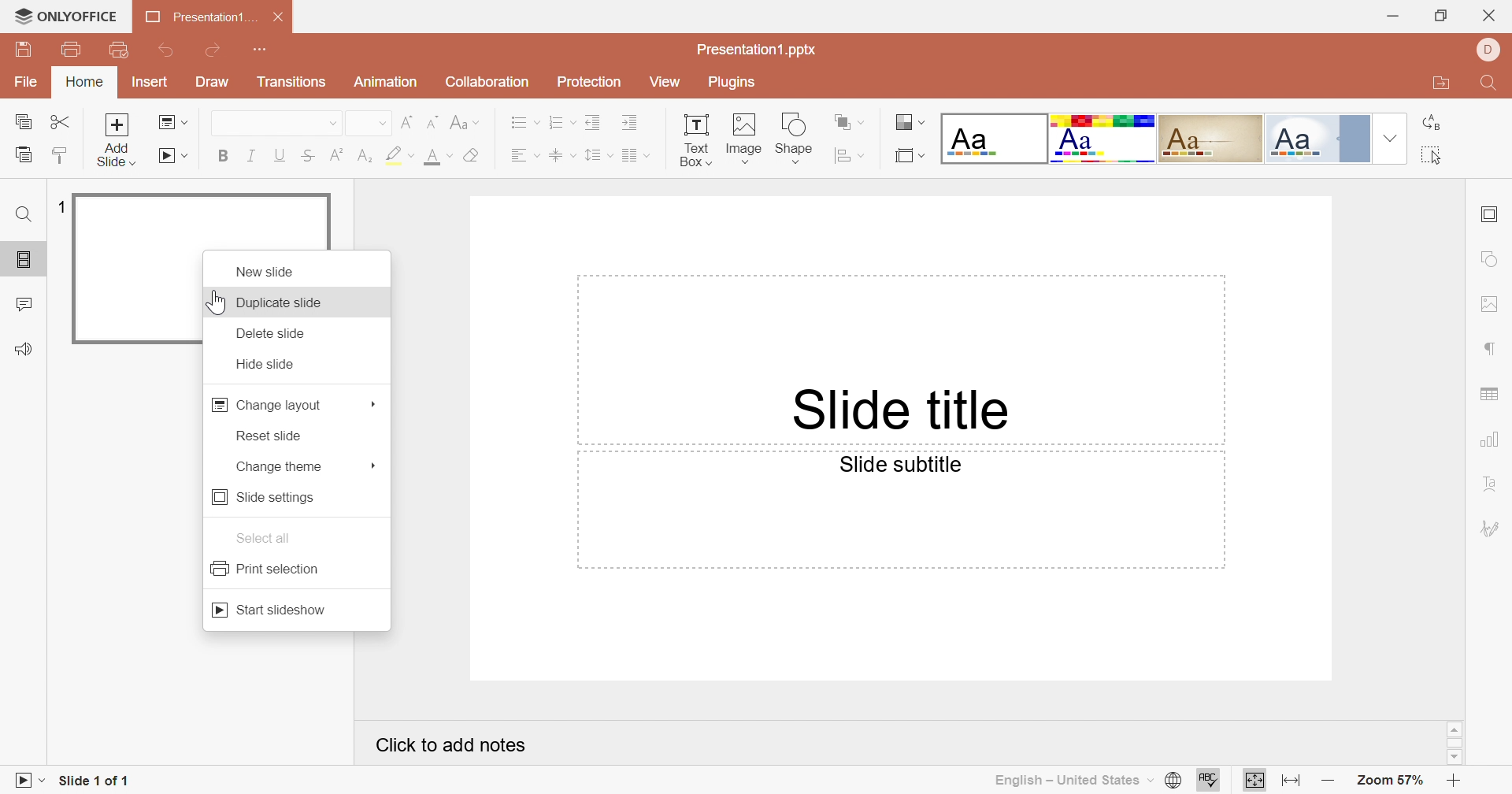  What do you see at coordinates (795, 136) in the screenshot?
I see `shape` at bounding box center [795, 136].